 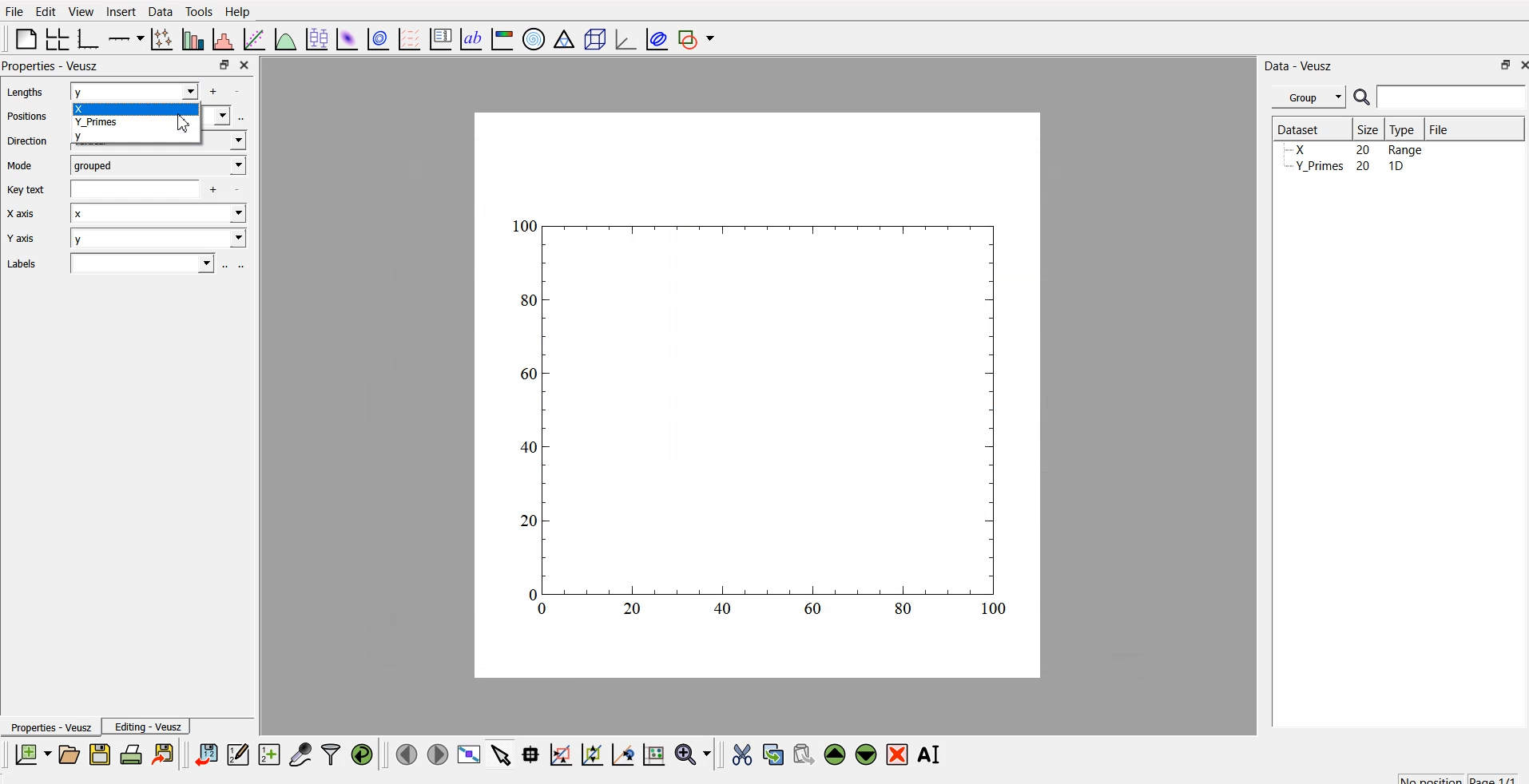 What do you see at coordinates (284, 39) in the screenshot?
I see `plot function` at bounding box center [284, 39].